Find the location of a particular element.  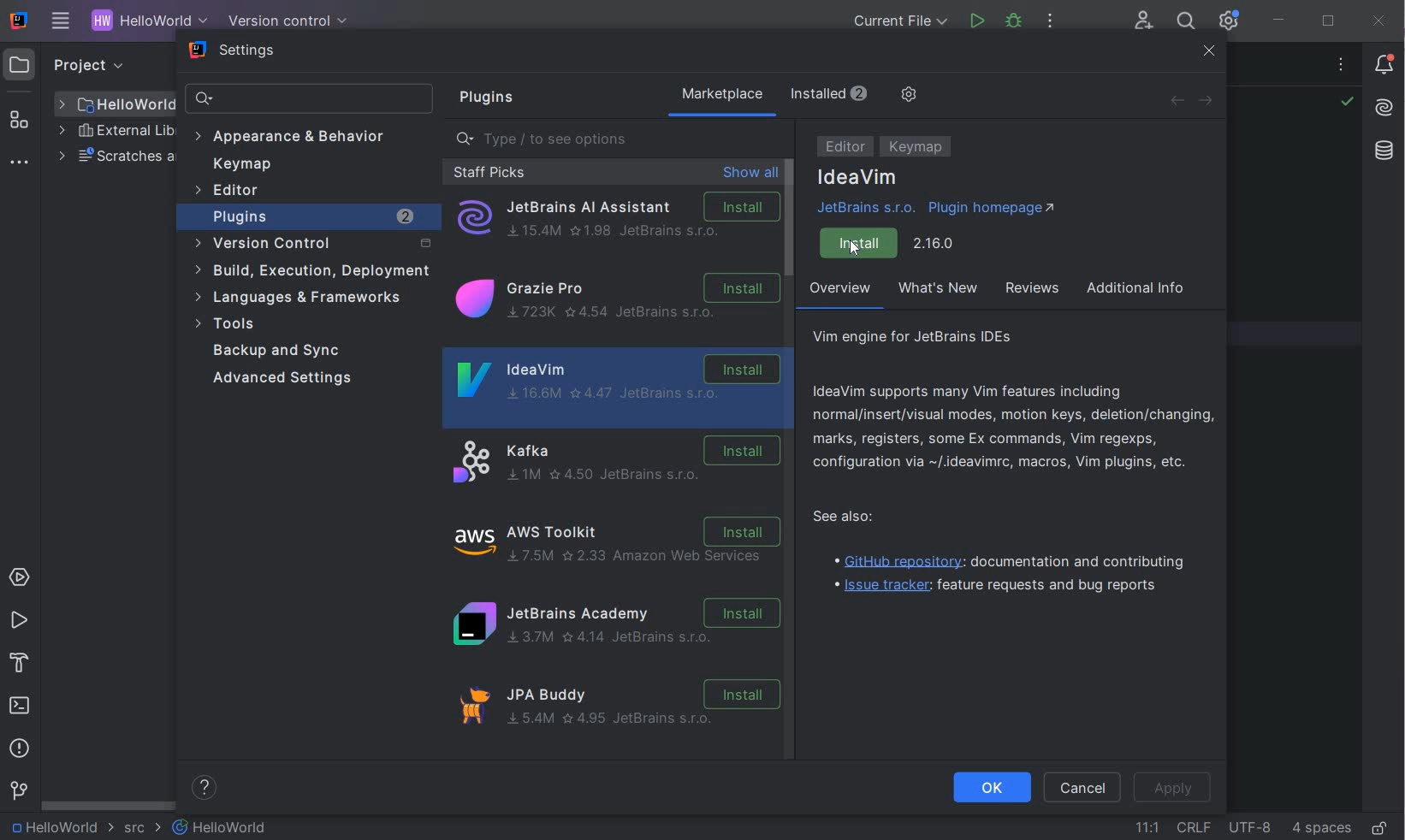

MORE ACTIONS is located at coordinates (1051, 25).